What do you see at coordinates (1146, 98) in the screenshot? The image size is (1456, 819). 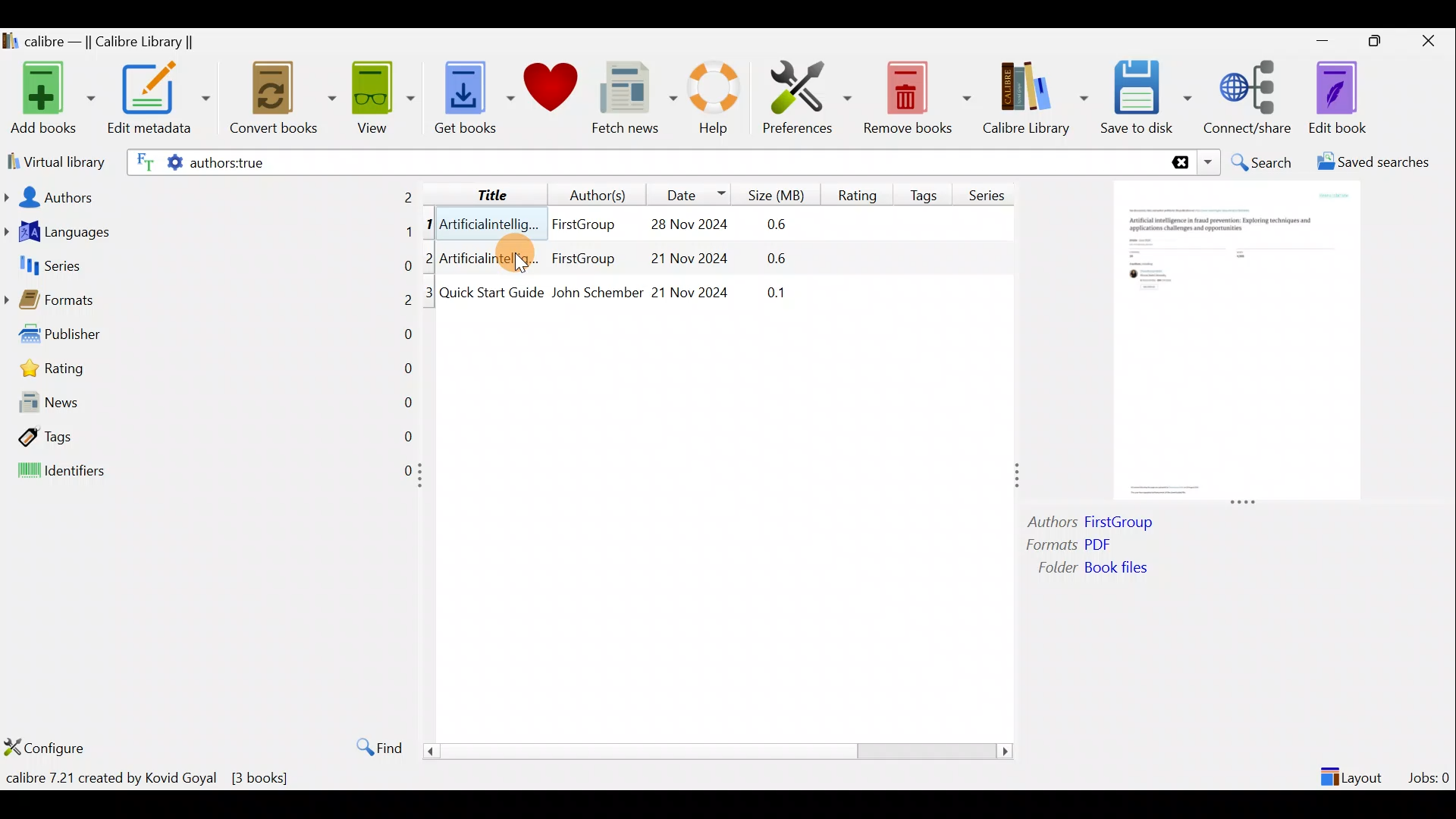 I see `Save to disk` at bounding box center [1146, 98].